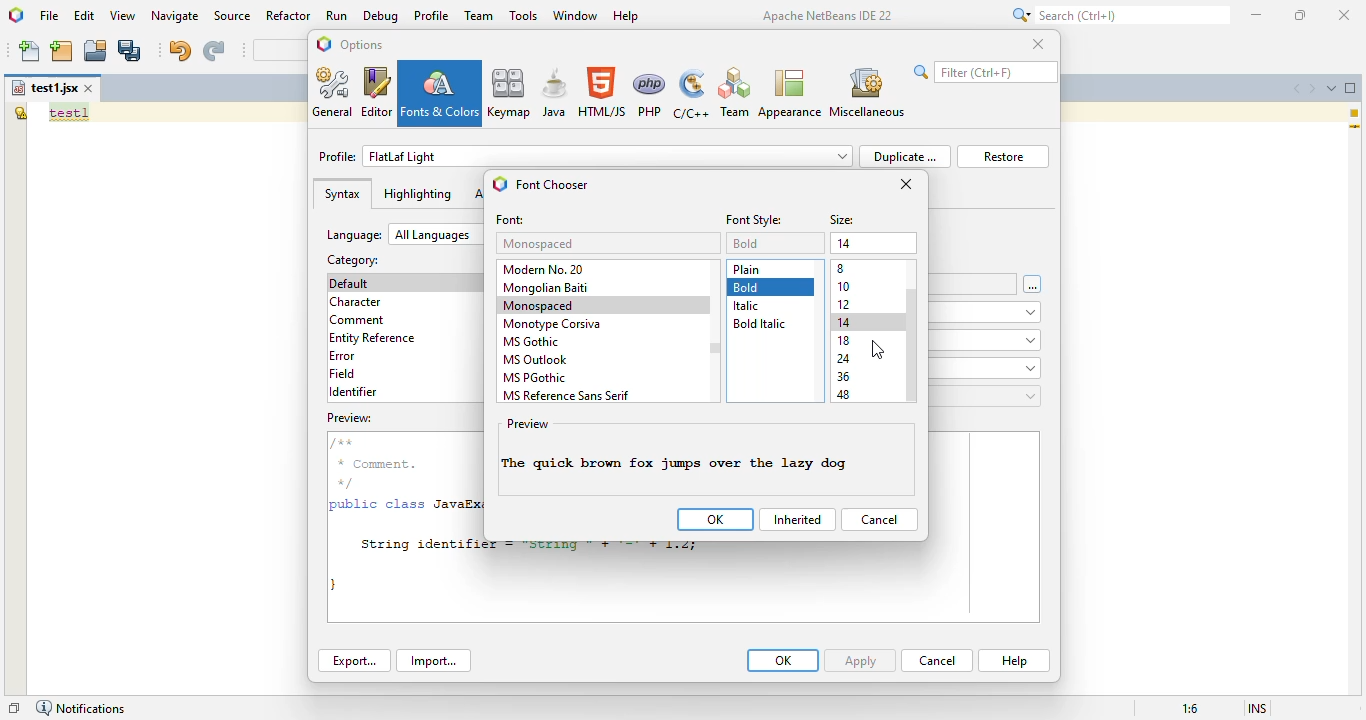  I want to click on maximize window, so click(1351, 88).